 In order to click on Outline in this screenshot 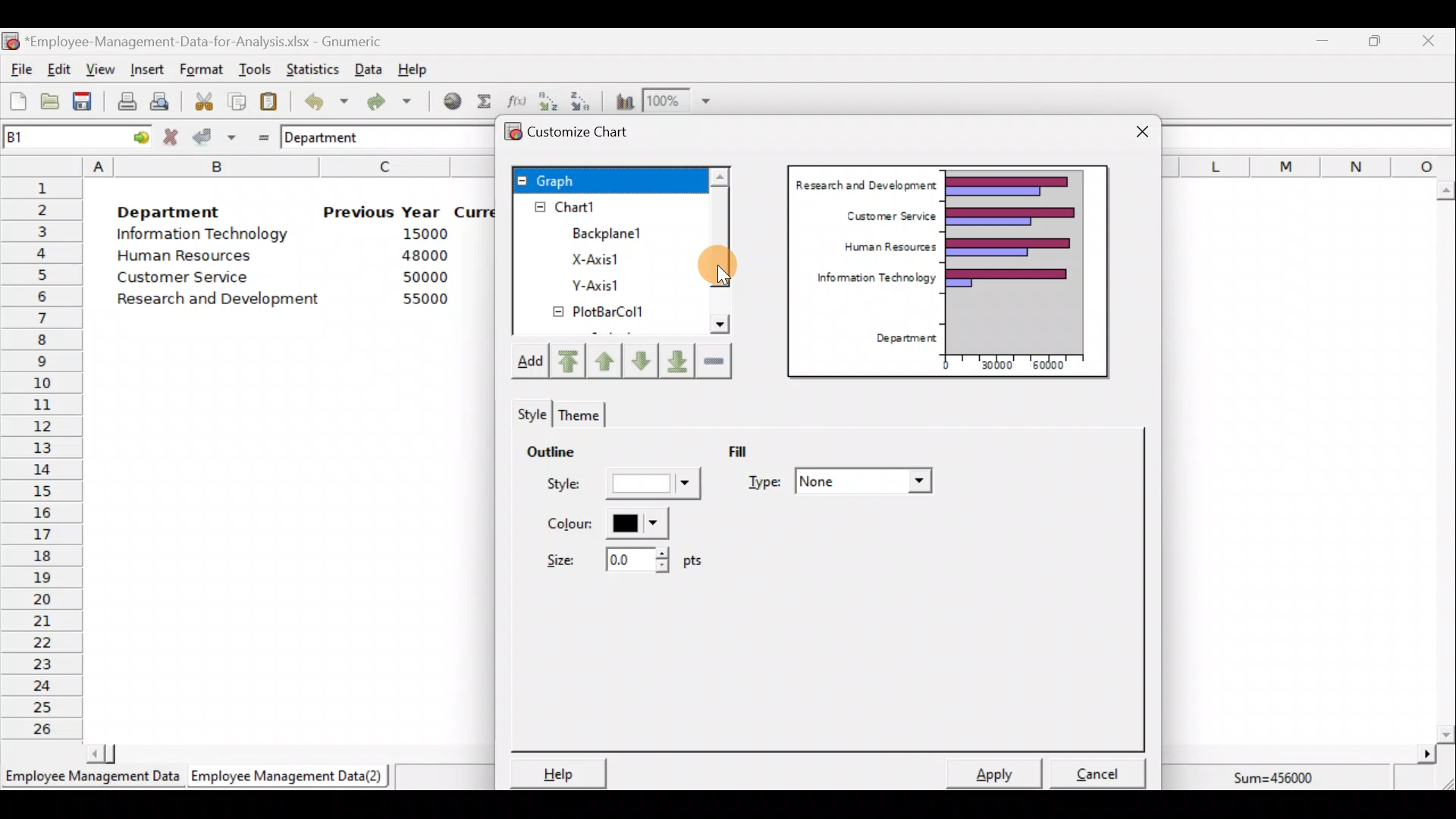, I will do `click(551, 449)`.